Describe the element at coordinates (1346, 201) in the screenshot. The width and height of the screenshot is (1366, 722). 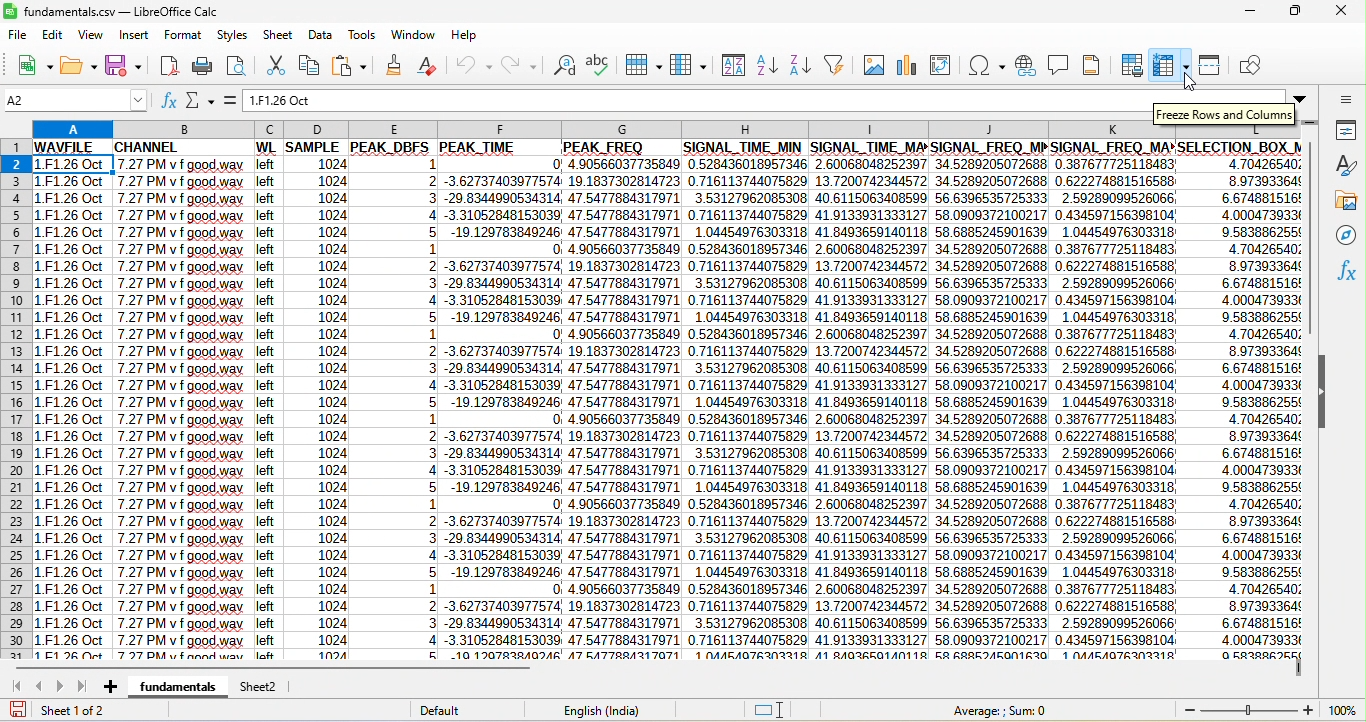
I see `gallary` at that location.